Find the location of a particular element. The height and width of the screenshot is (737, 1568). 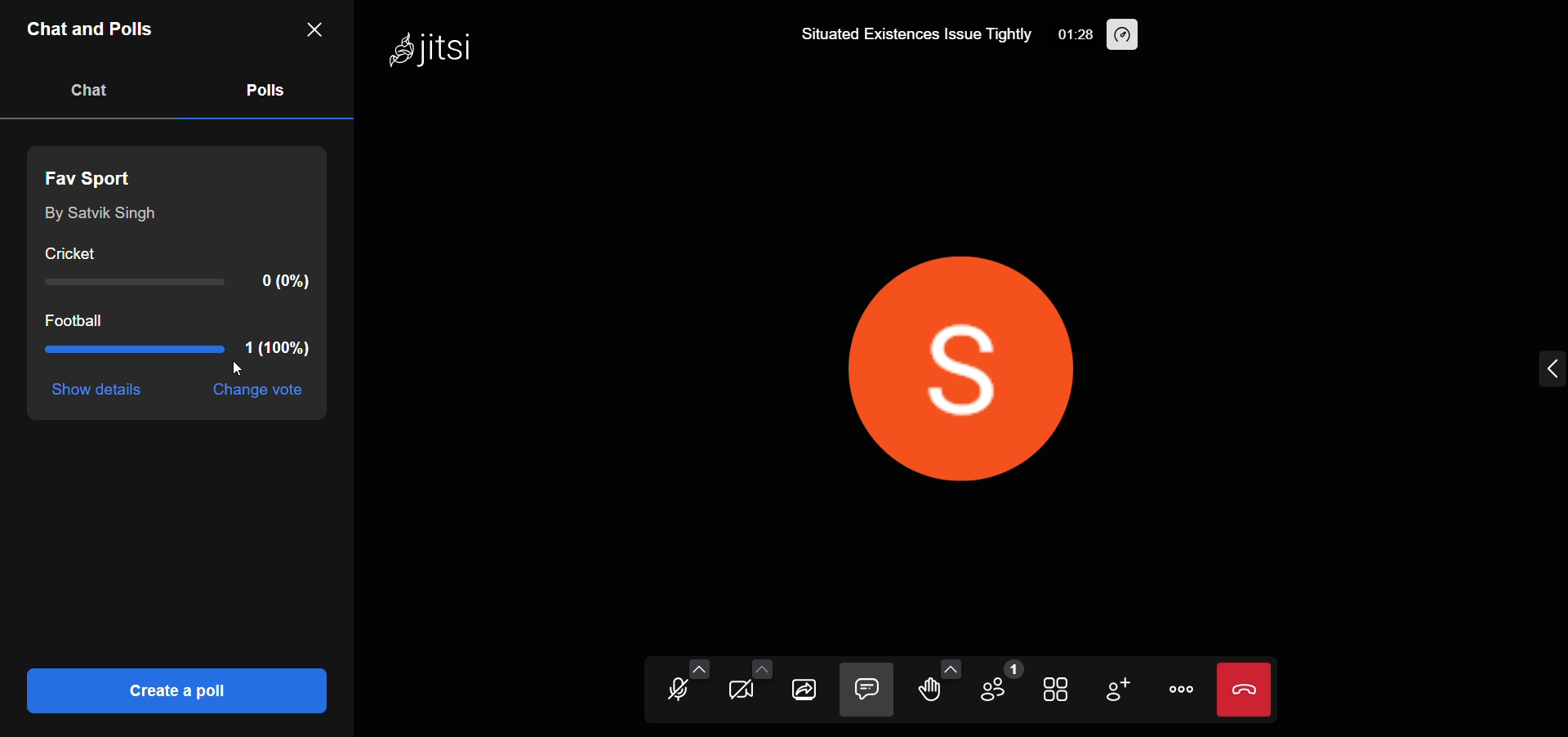

leave meeting is located at coordinates (1248, 689).